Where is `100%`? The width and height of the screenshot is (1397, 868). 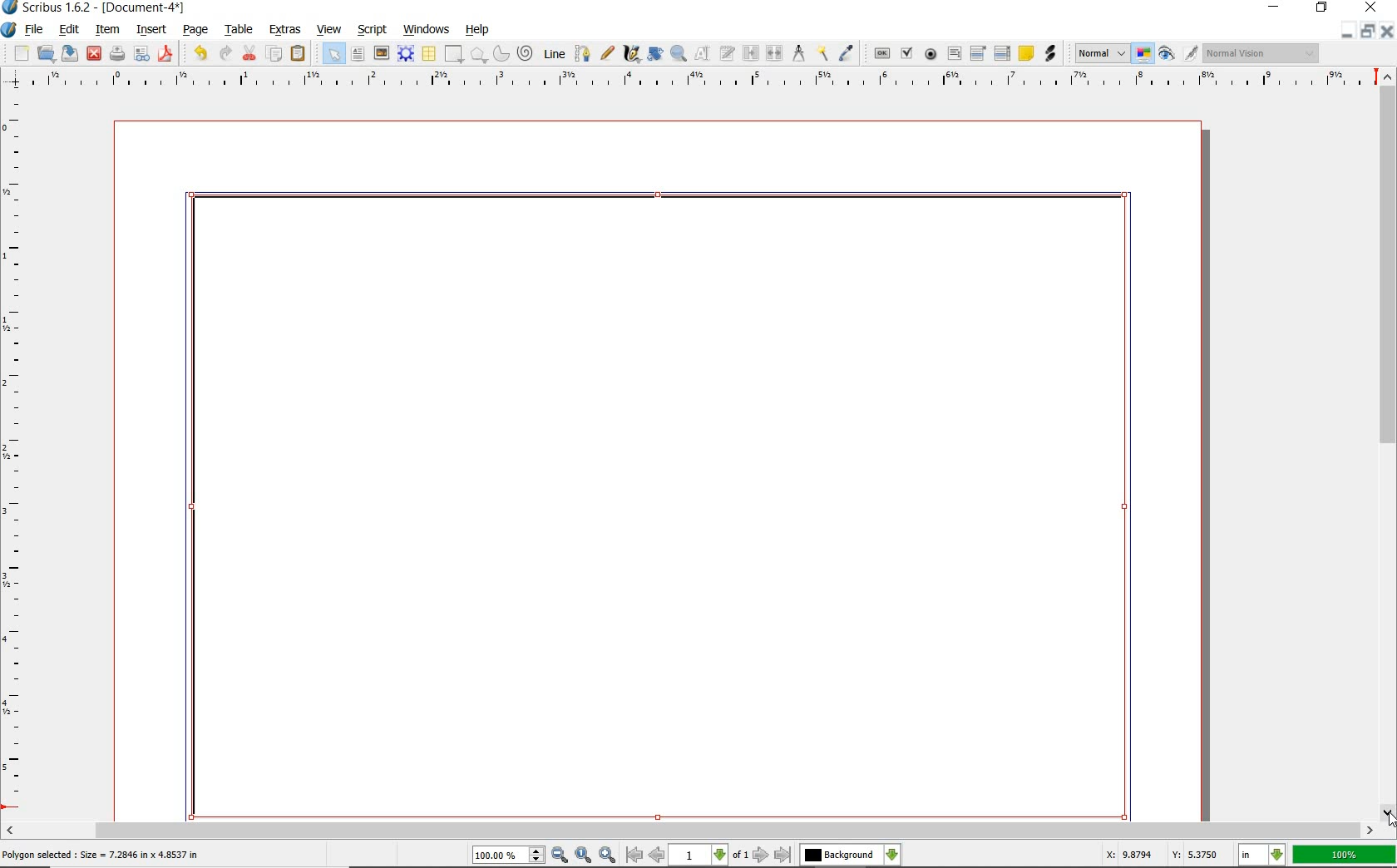
100% is located at coordinates (1344, 855).